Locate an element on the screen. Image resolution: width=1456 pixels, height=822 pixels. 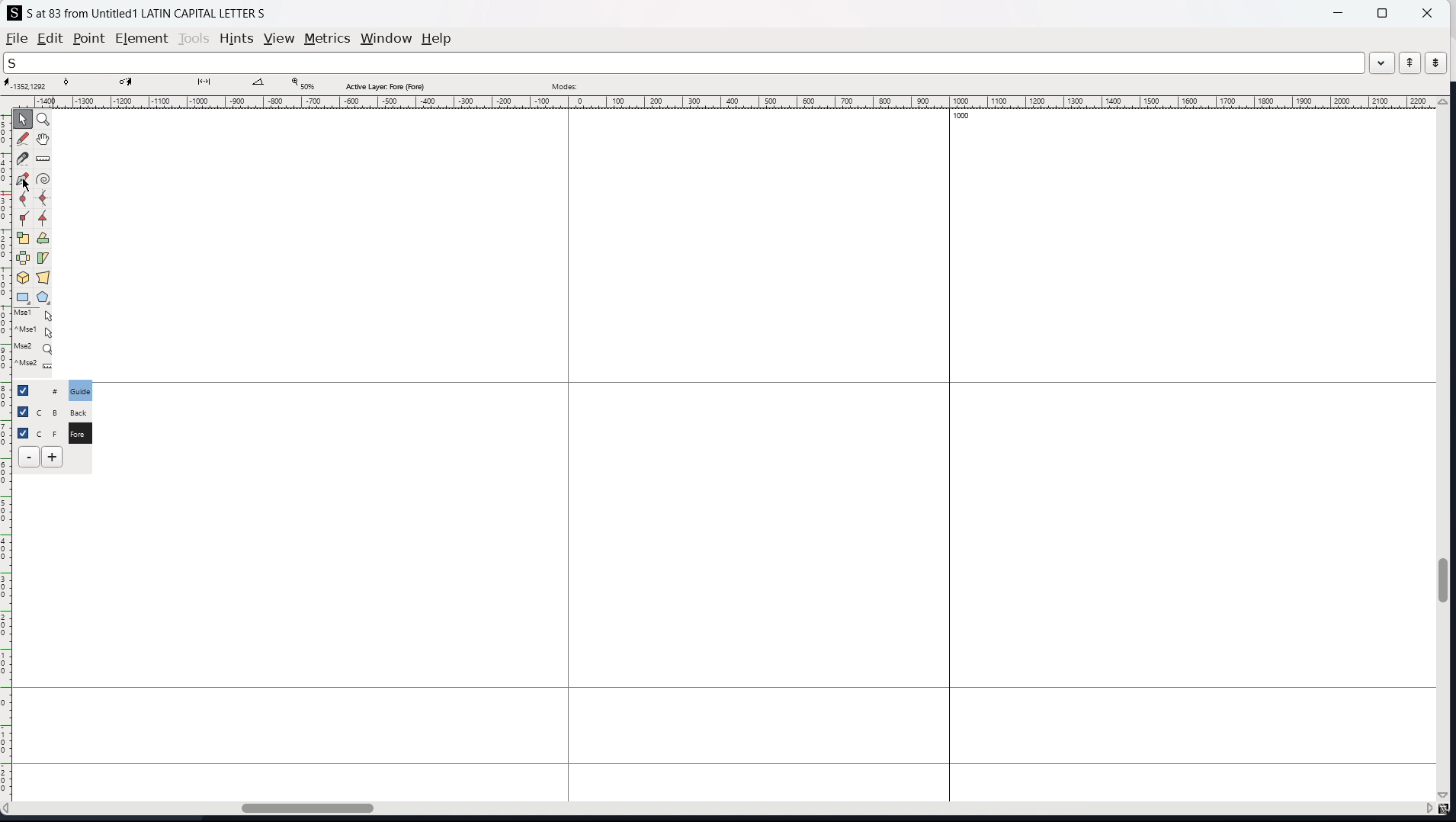
skew selection is located at coordinates (43, 259).